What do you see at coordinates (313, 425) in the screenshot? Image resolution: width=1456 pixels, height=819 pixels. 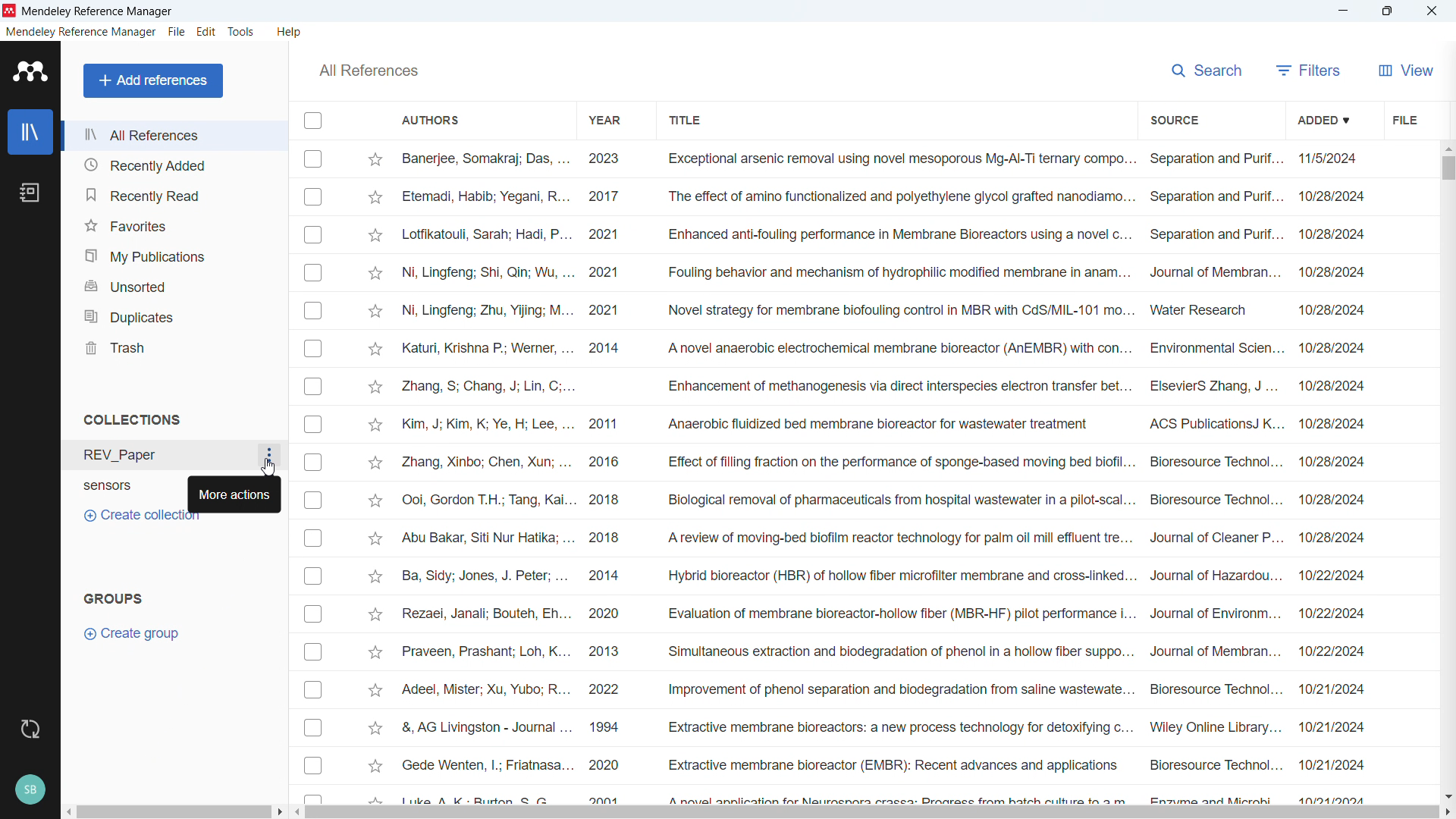 I see `Select respective publication` at bounding box center [313, 425].